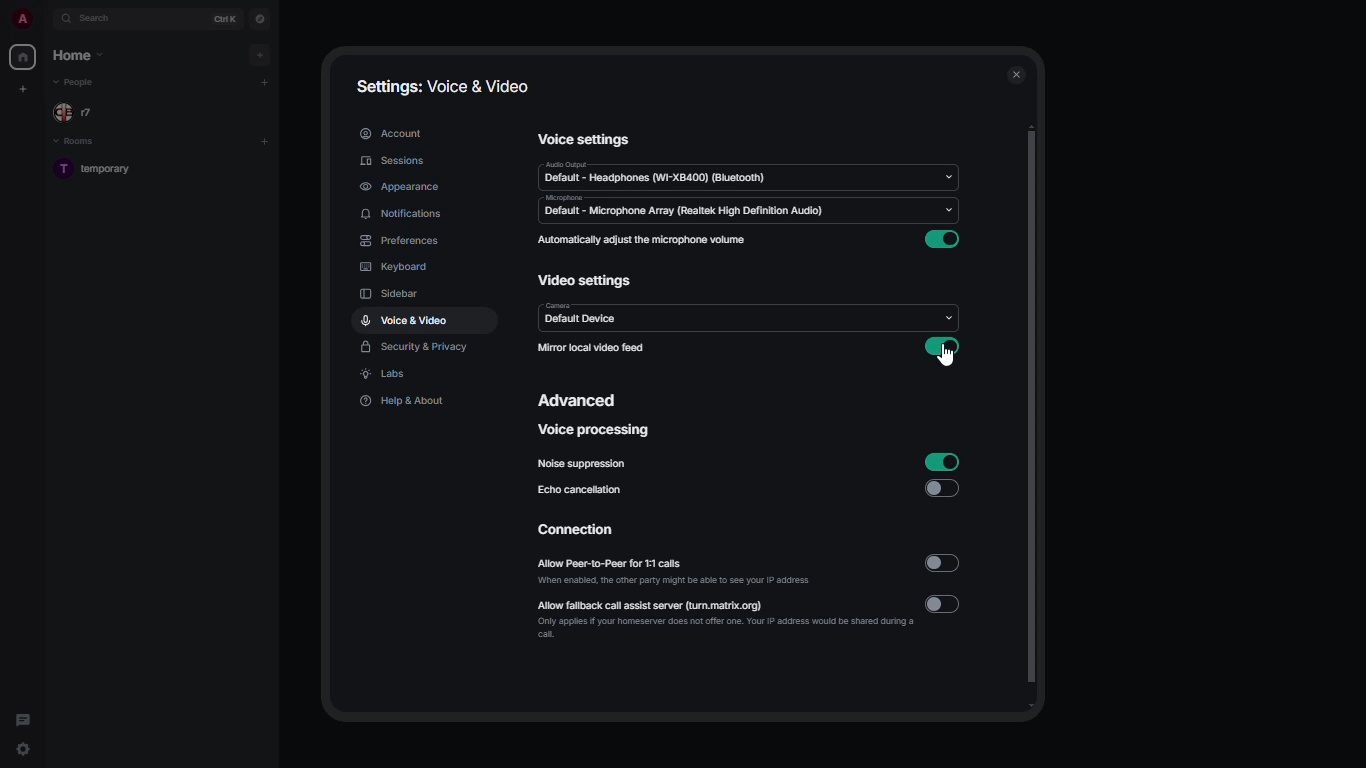 The width and height of the screenshot is (1366, 768). Describe the element at coordinates (46, 19) in the screenshot. I see `expand` at that location.